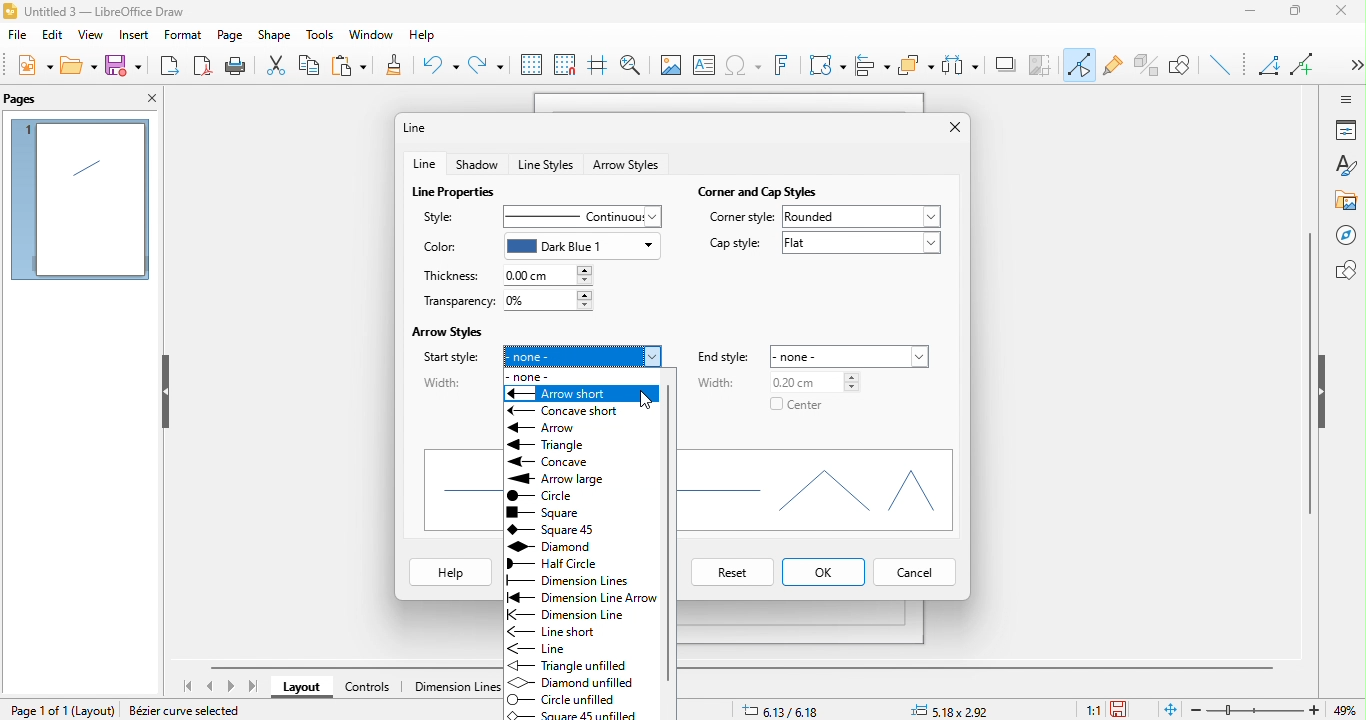  What do you see at coordinates (1187, 67) in the screenshot?
I see `show the draw function` at bounding box center [1187, 67].